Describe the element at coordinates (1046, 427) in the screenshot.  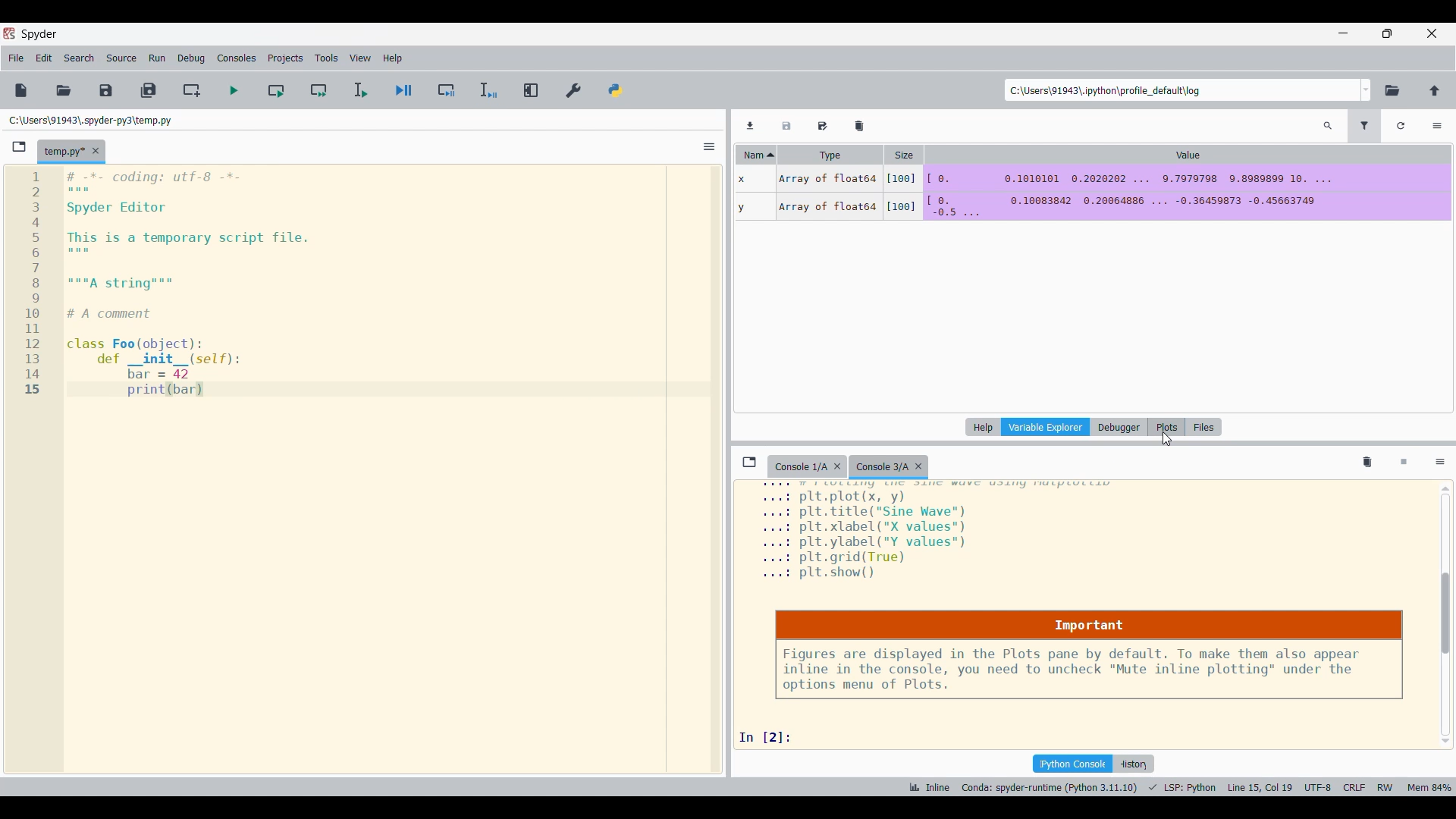
I see `Variable explorer` at that location.